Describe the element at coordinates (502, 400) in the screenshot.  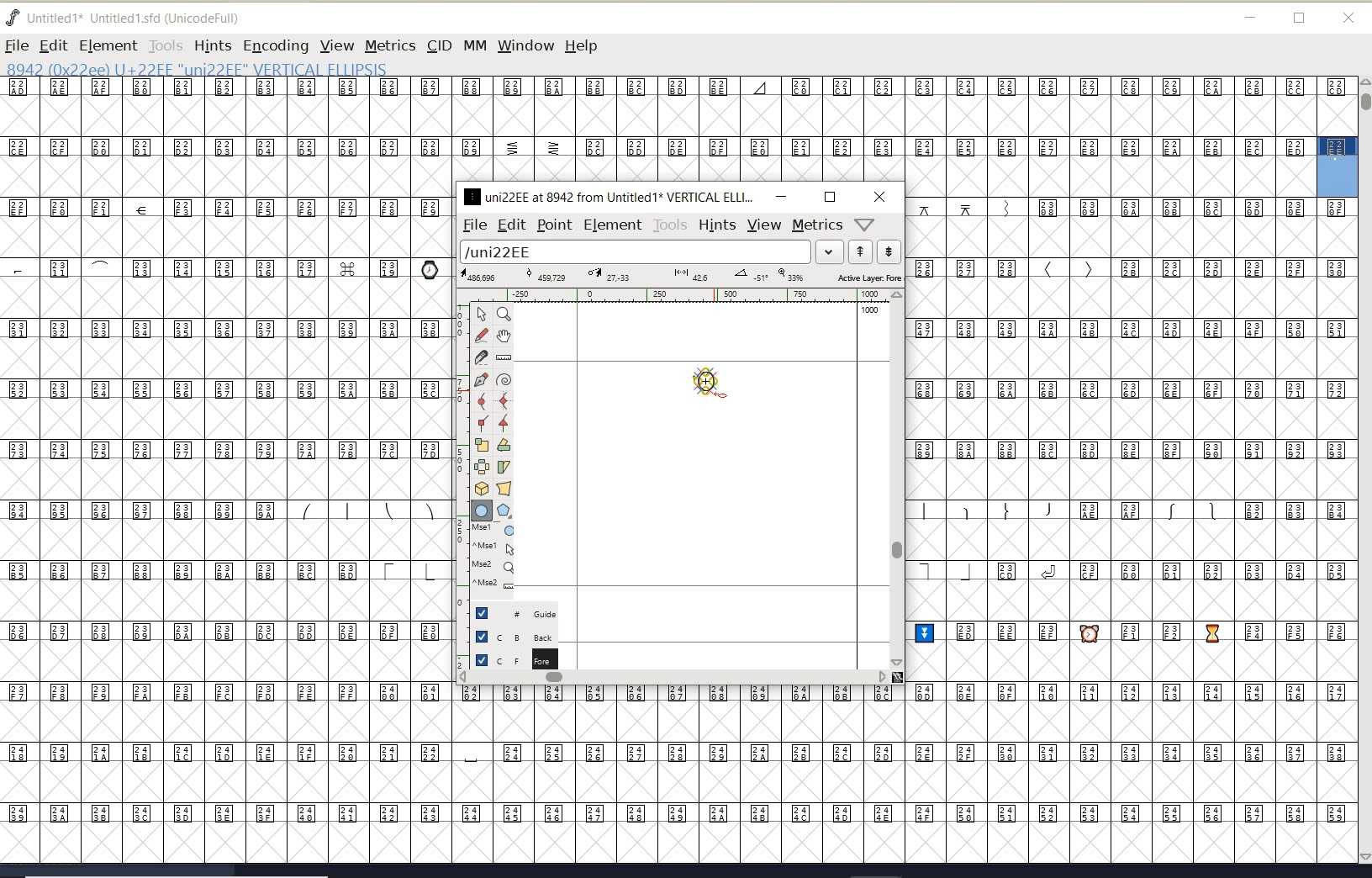
I see `add a curve point always either horizontal or vertical` at that location.